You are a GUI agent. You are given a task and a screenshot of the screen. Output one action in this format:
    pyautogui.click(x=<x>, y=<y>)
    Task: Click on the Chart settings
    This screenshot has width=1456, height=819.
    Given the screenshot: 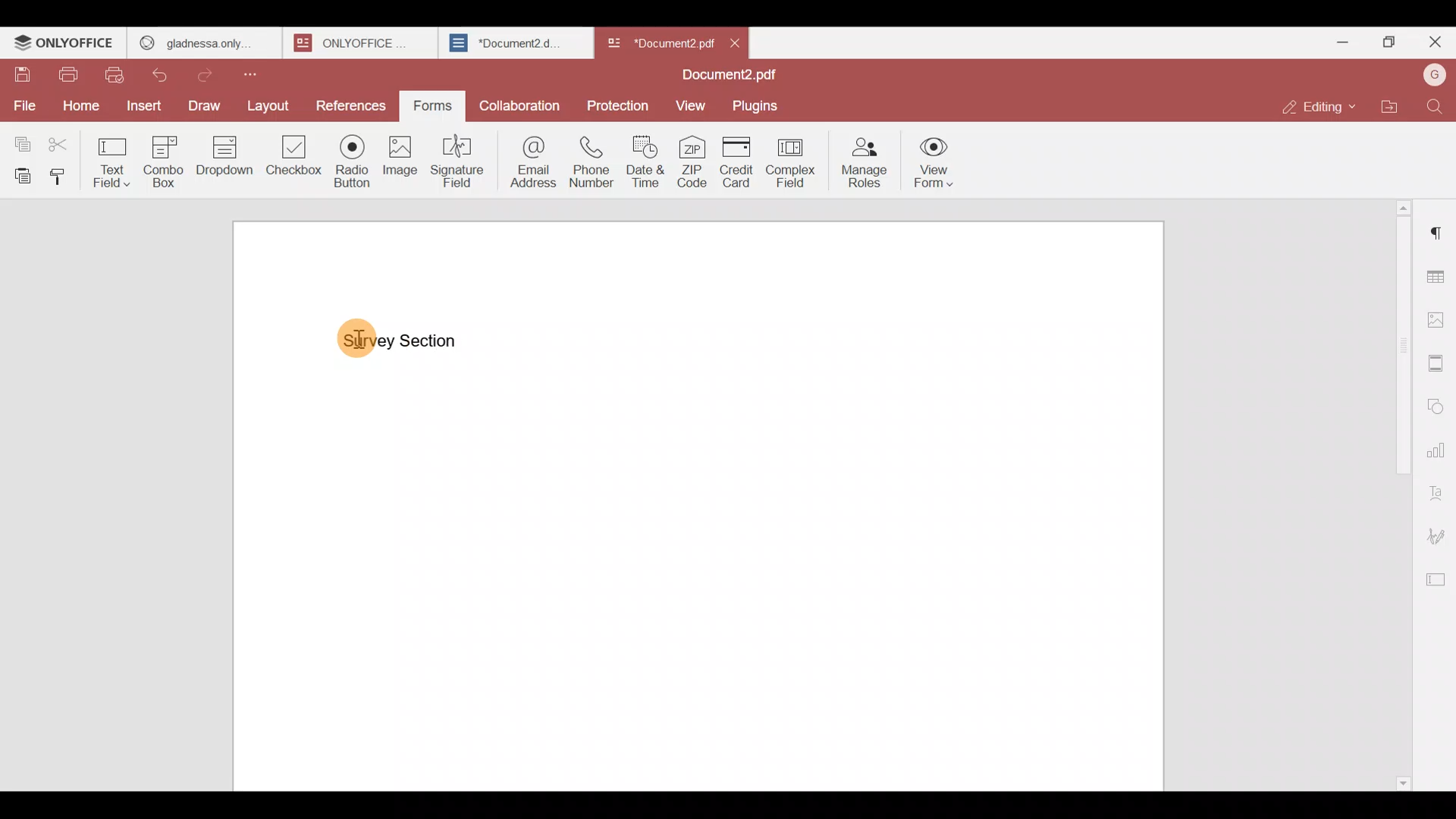 What is the action you would take?
    pyautogui.click(x=1438, y=450)
    